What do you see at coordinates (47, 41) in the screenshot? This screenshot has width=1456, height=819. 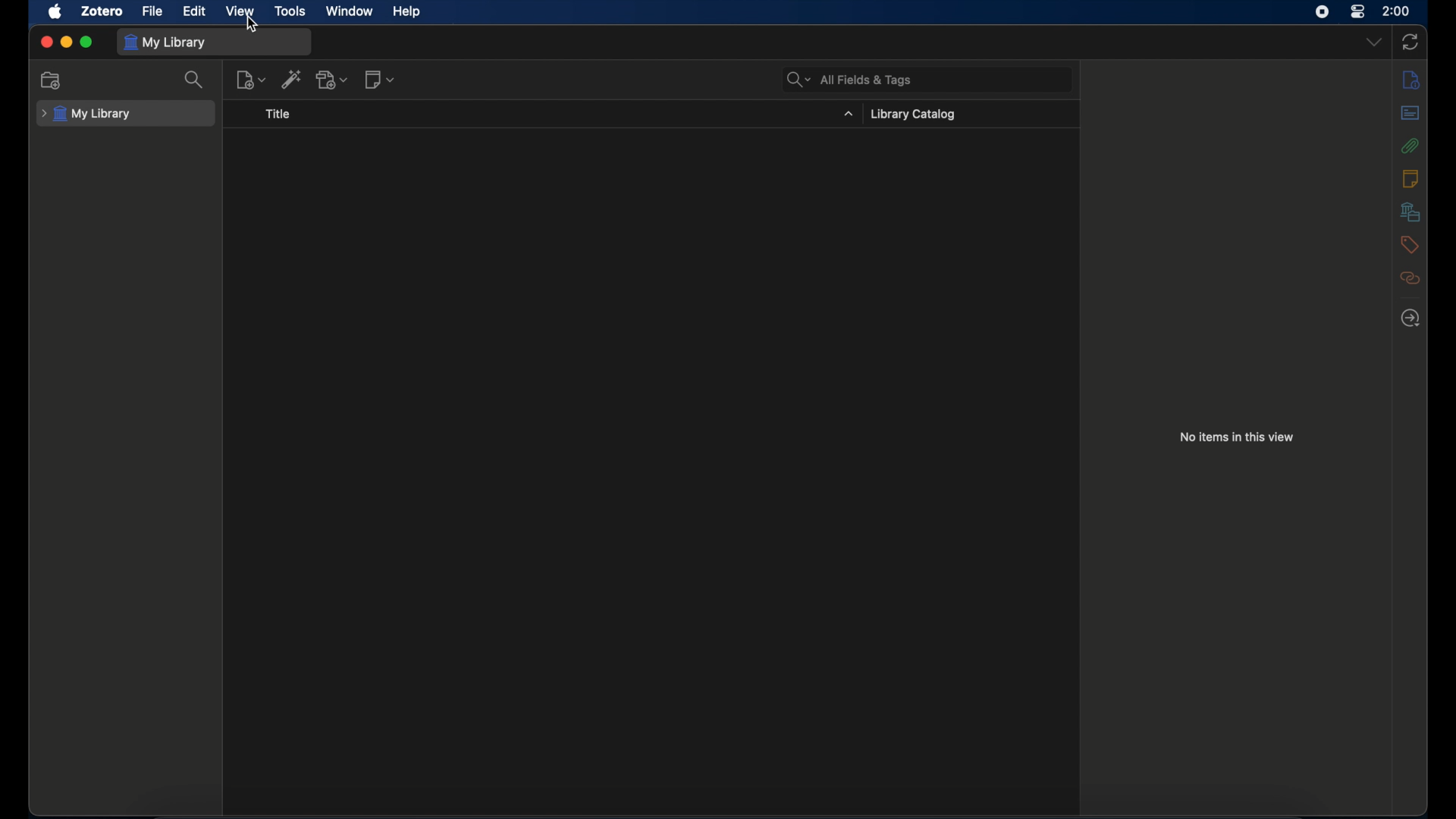 I see `close` at bounding box center [47, 41].